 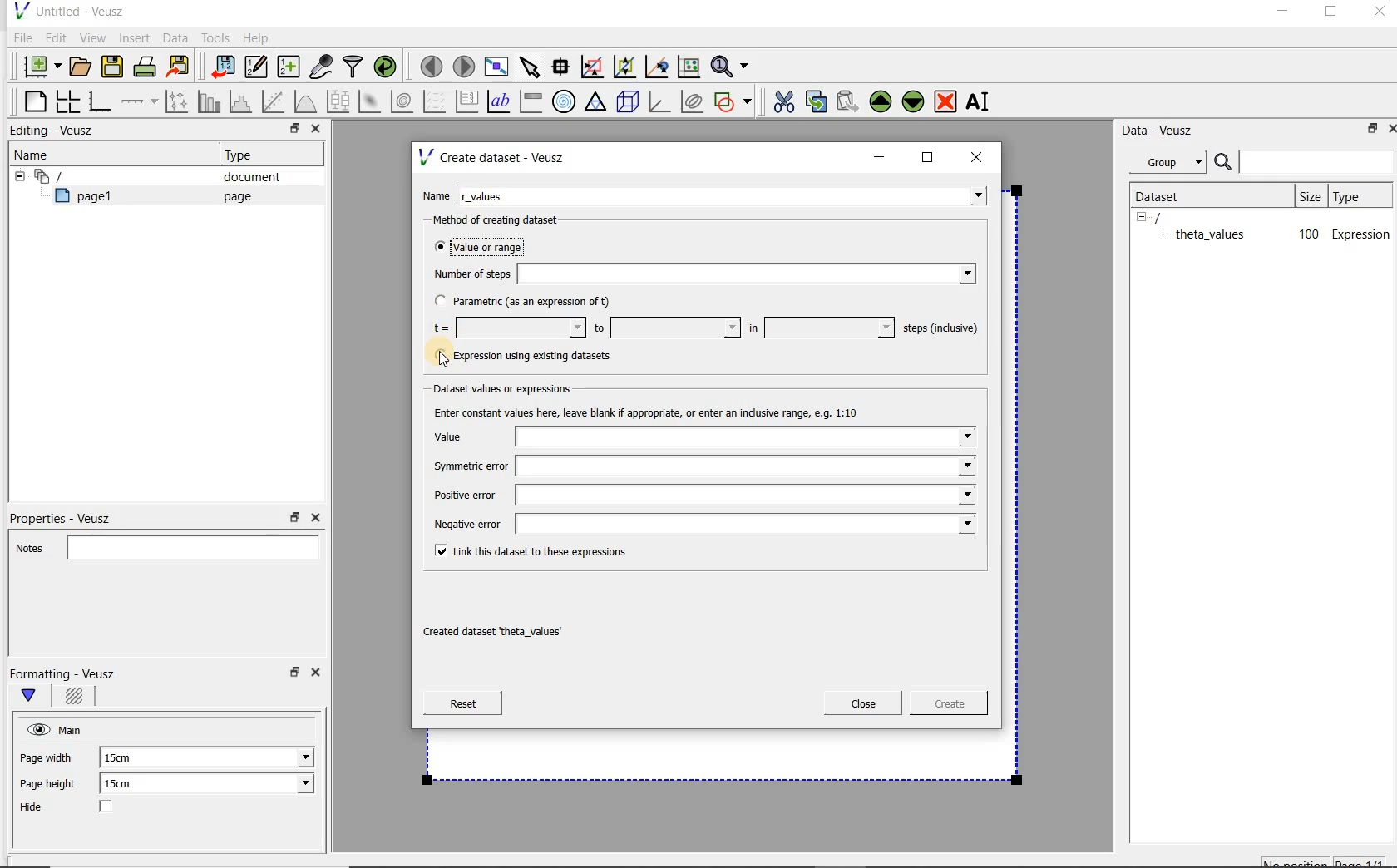 What do you see at coordinates (179, 68) in the screenshot?
I see `Export to graphics format` at bounding box center [179, 68].